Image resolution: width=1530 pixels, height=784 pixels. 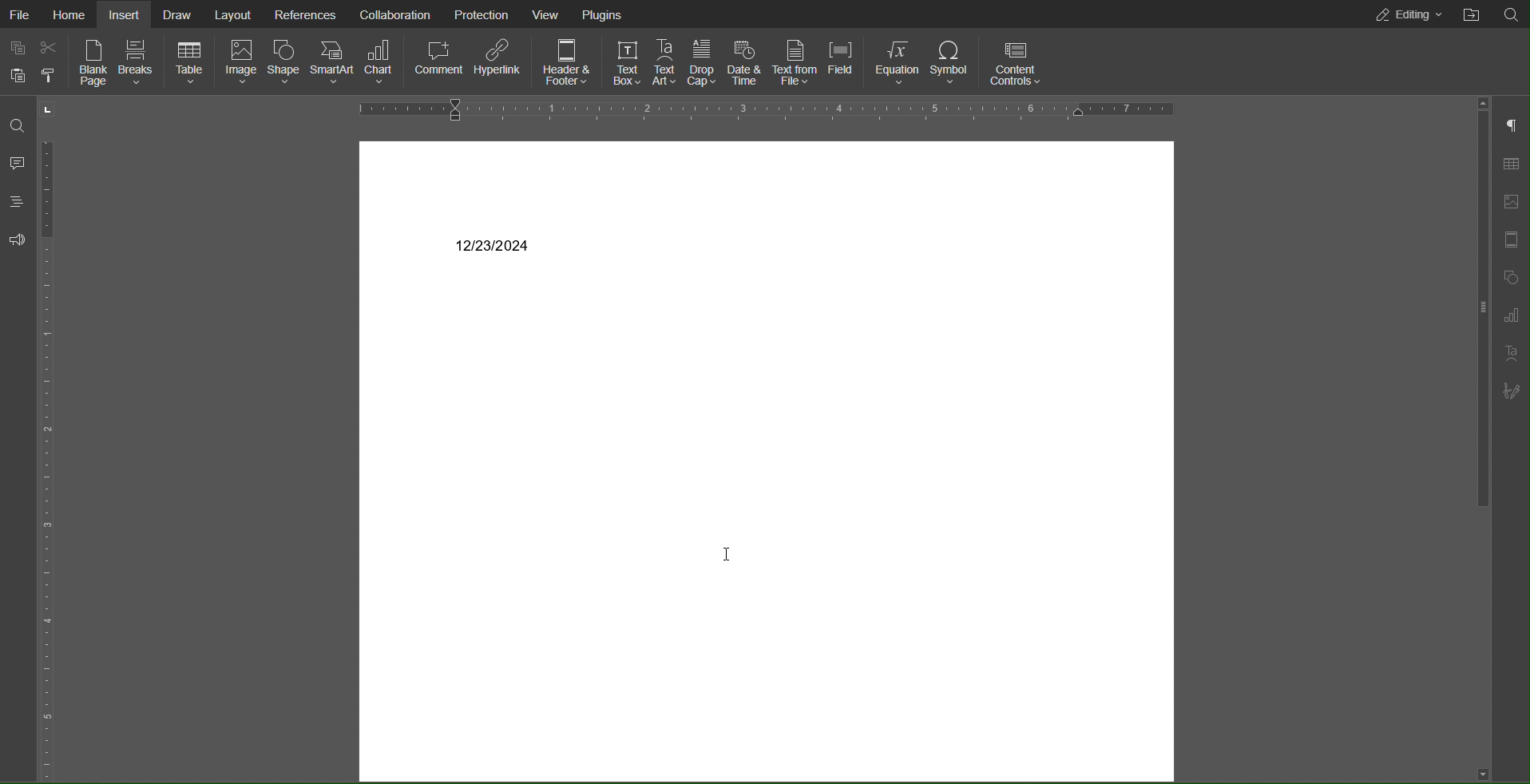 What do you see at coordinates (21, 14) in the screenshot?
I see `File` at bounding box center [21, 14].